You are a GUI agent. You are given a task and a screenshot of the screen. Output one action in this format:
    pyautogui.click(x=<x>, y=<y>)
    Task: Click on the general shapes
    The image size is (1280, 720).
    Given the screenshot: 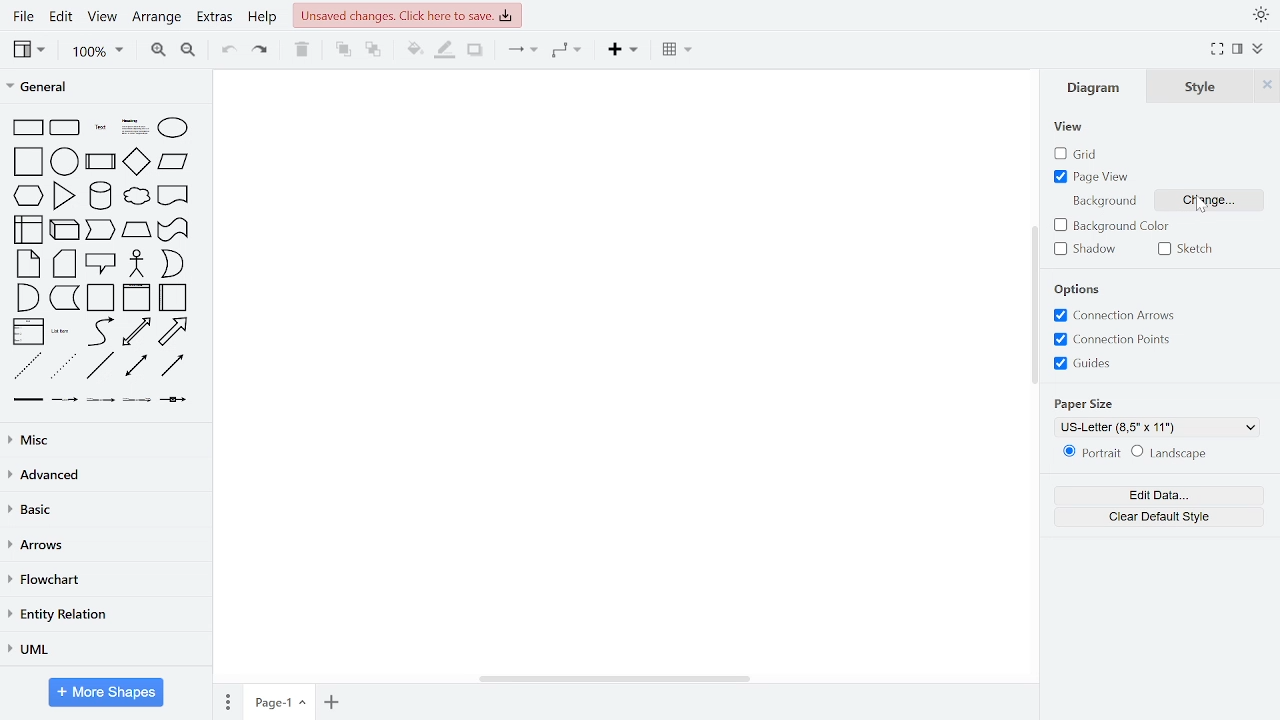 What is the action you would take?
    pyautogui.click(x=62, y=160)
    